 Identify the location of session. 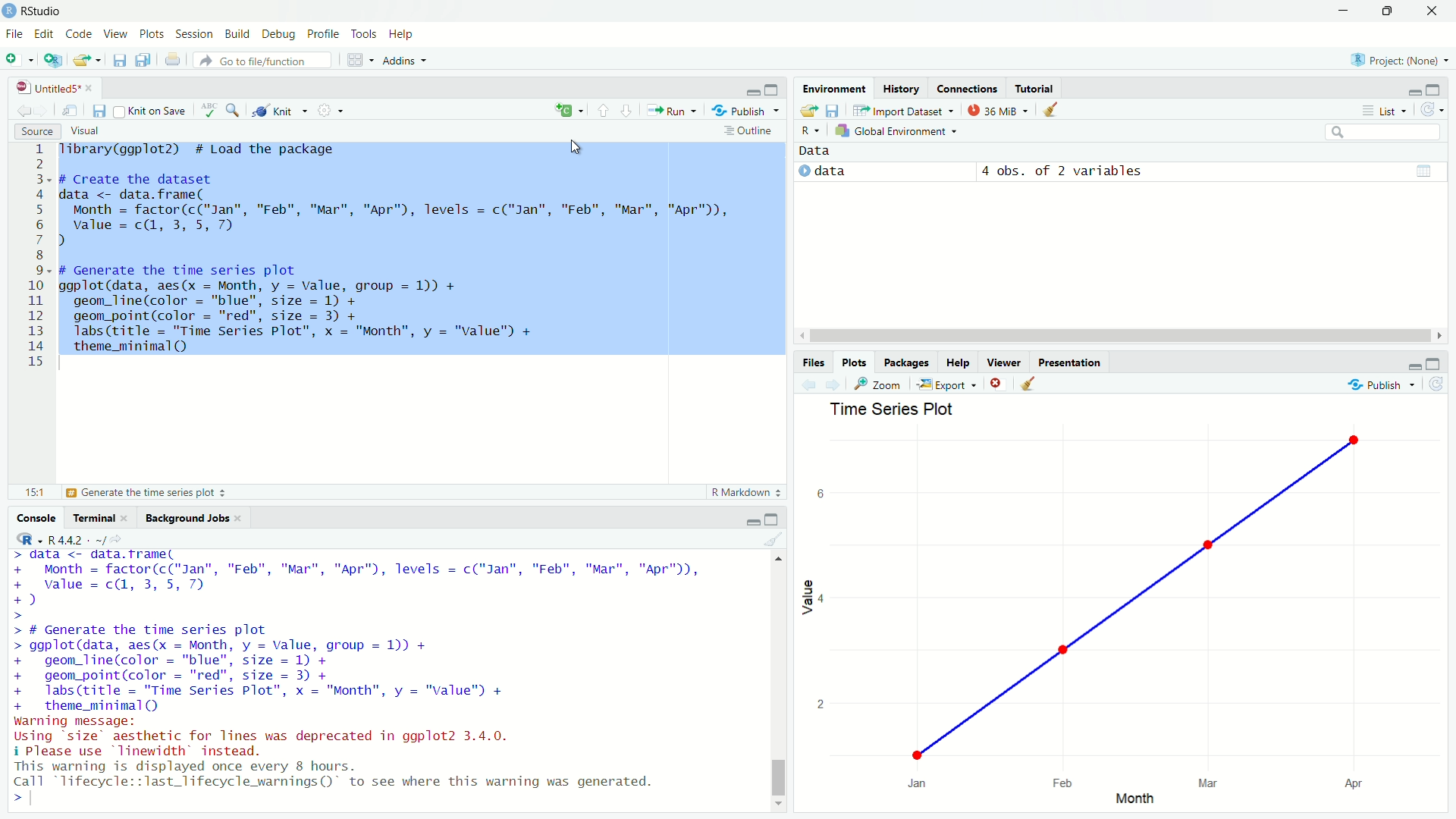
(196, 35).